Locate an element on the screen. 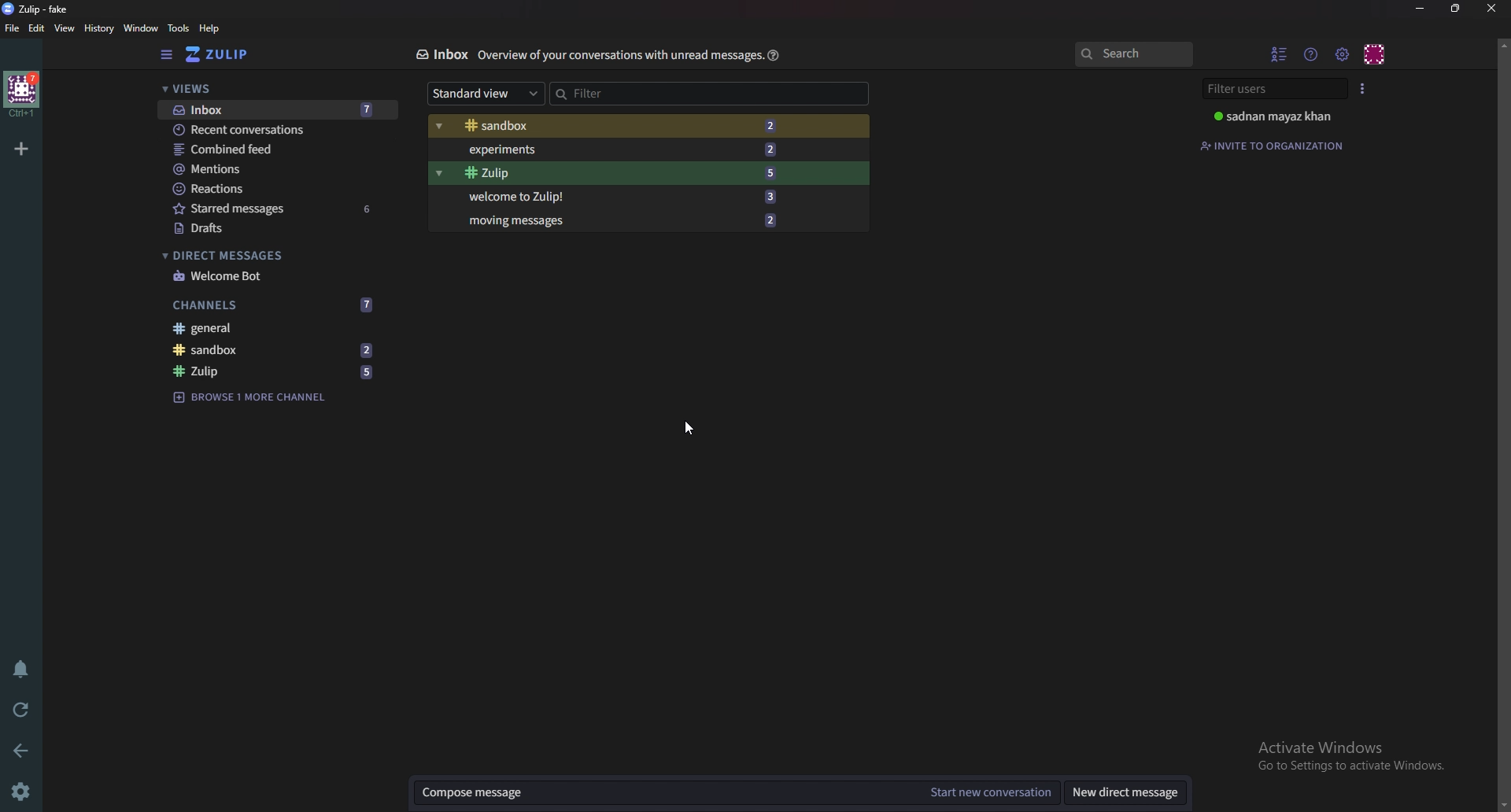 The height and width of the screenshot is (812, 1511). views is located at coordinates (277, 90).